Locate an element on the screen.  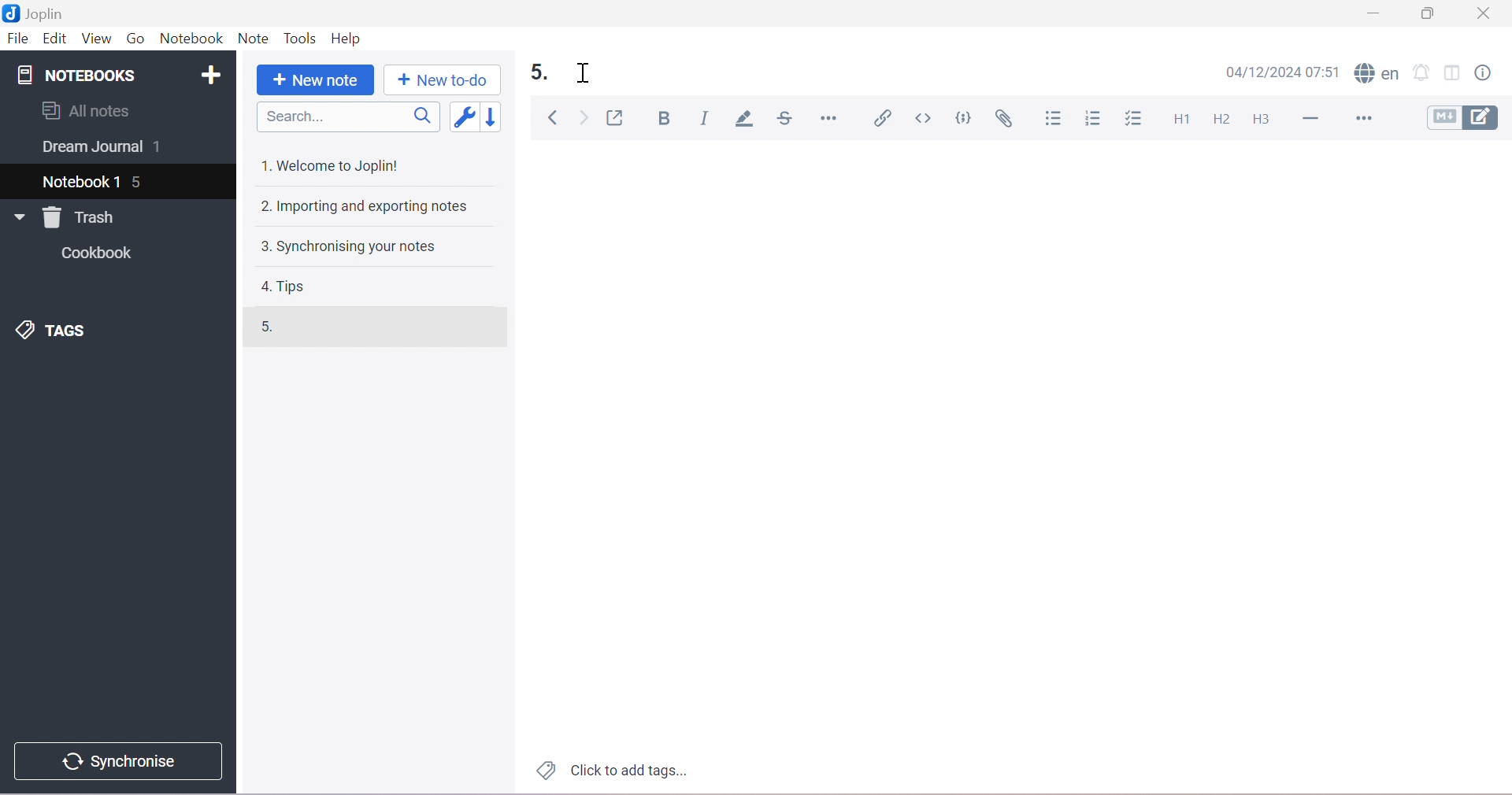
More is located at coordinates (1368, 120).